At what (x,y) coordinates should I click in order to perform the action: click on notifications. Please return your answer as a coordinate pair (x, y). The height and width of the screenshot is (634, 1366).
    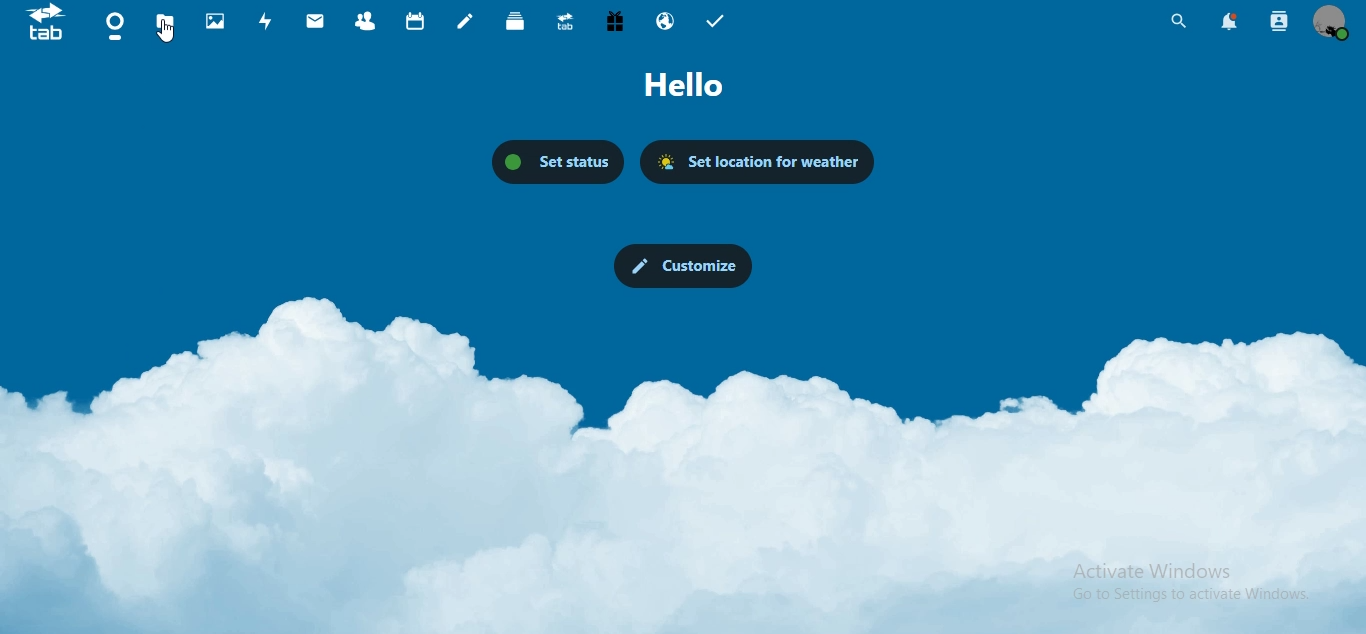
    Looking at the image, I should click on (1230, 21).